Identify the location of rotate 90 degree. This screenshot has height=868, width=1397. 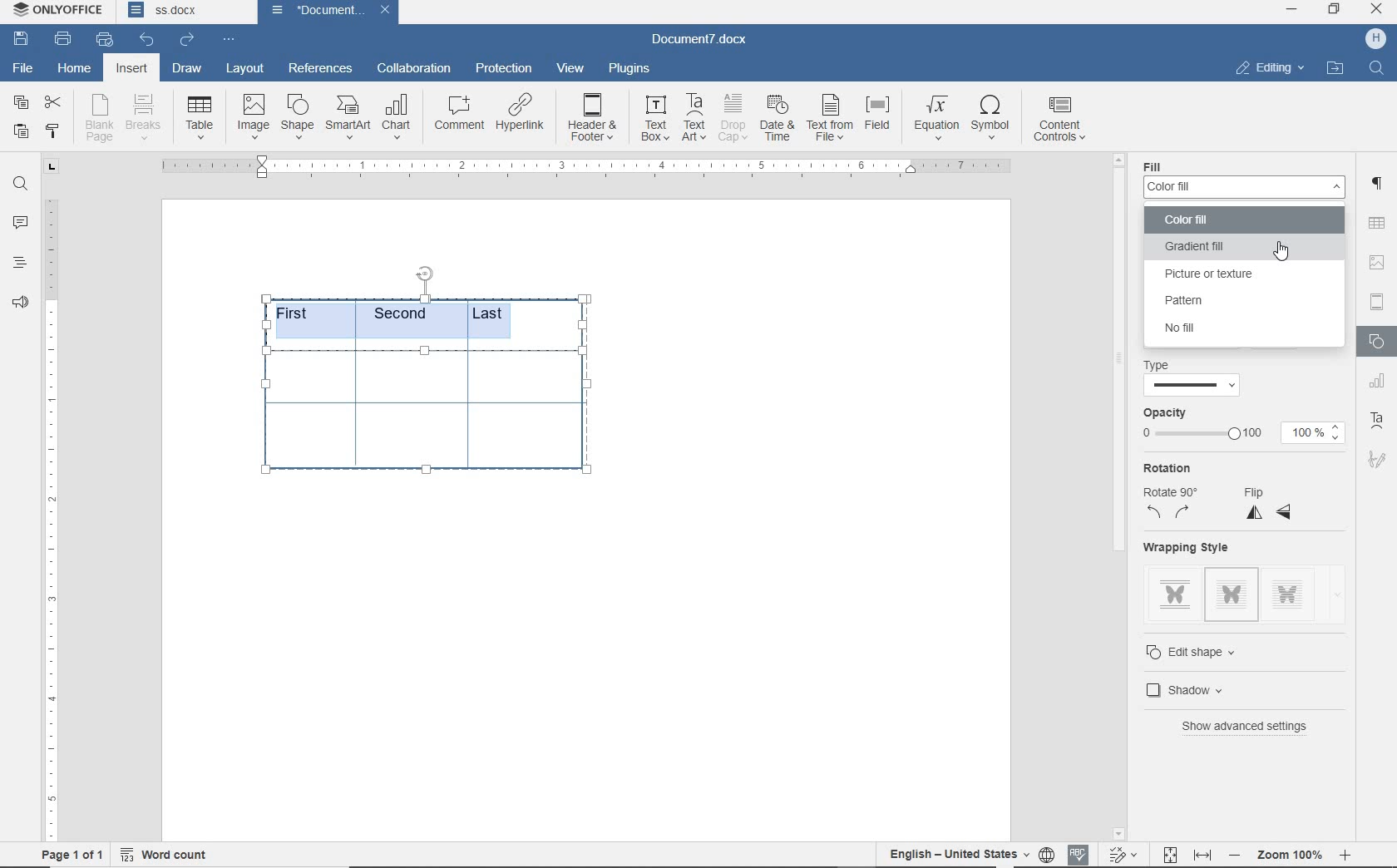
(1177, 505).